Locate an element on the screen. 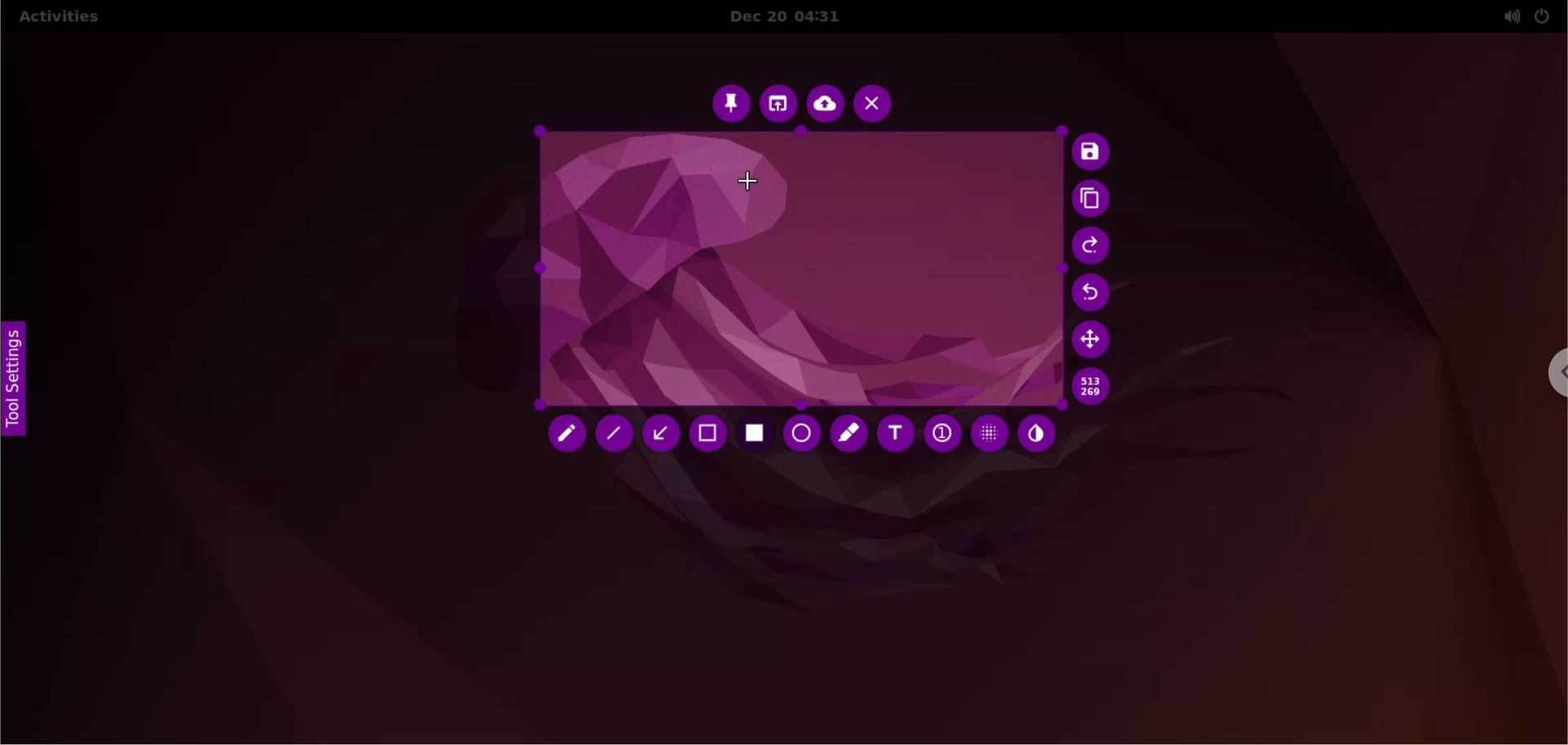 The height and width of the screenshot is (745, 1568). sound setting options is located at coordinates (1506, 16).